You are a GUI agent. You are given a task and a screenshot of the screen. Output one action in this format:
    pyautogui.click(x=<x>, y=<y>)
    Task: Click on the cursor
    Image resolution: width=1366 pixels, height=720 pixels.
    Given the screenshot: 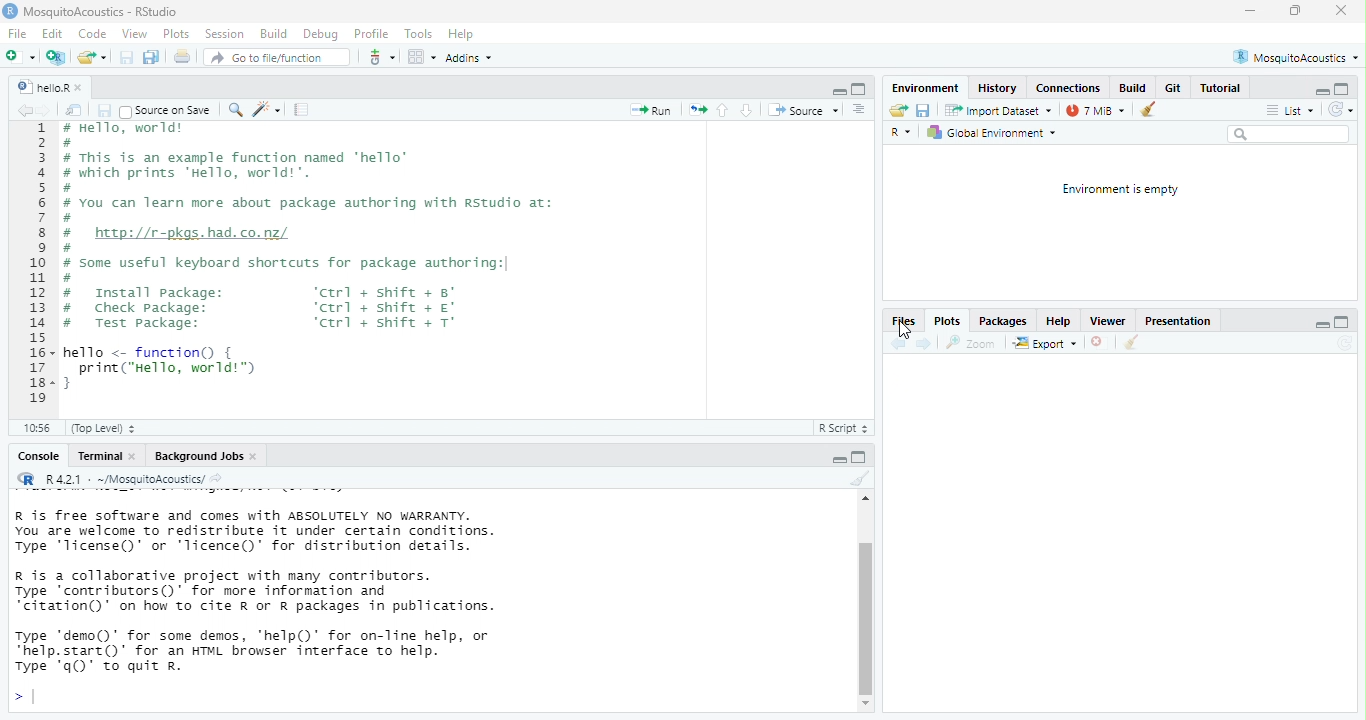 What is the action you would take?
    pyautogui.click(x=904, y=331)
    